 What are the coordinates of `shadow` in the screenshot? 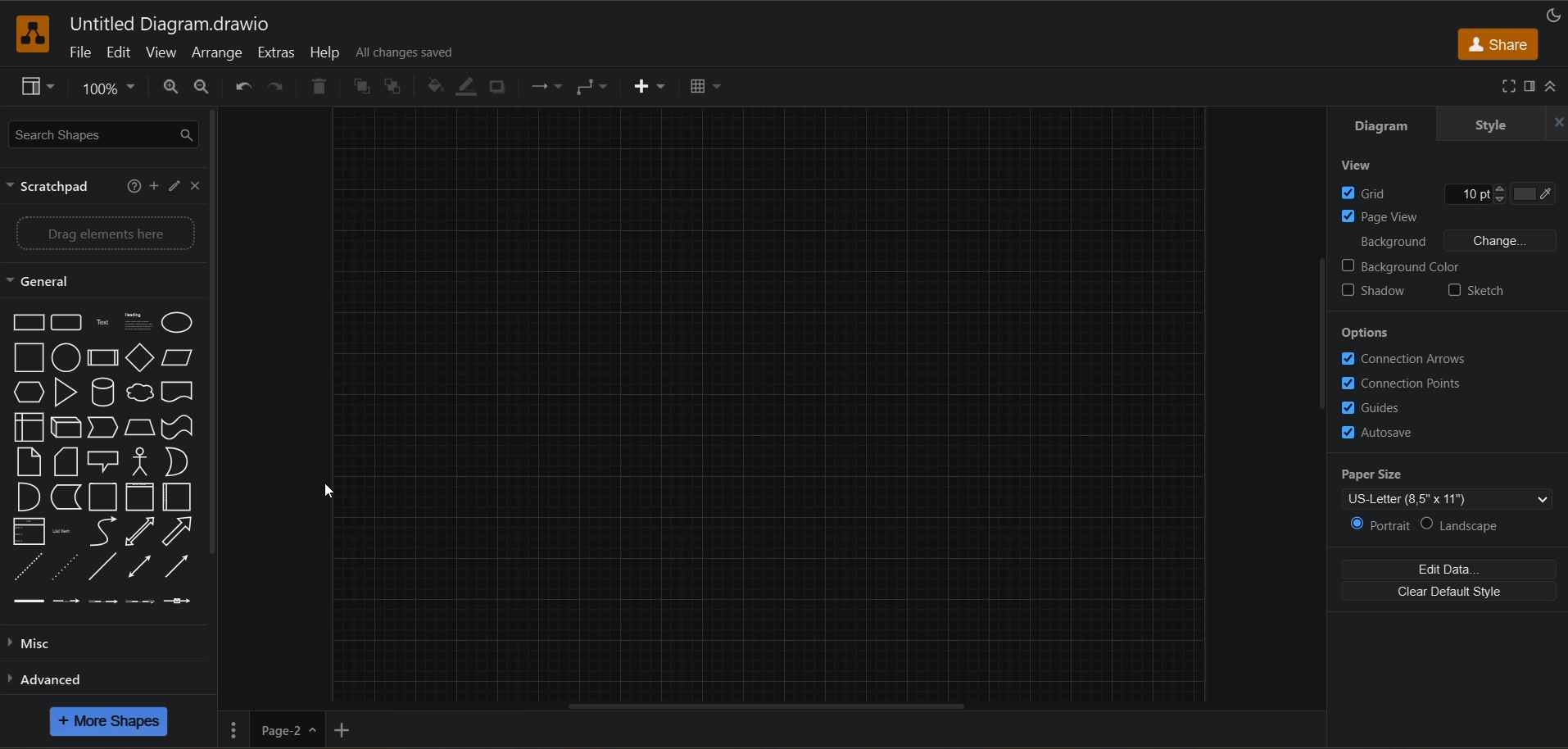 It's located at (1379, 293).